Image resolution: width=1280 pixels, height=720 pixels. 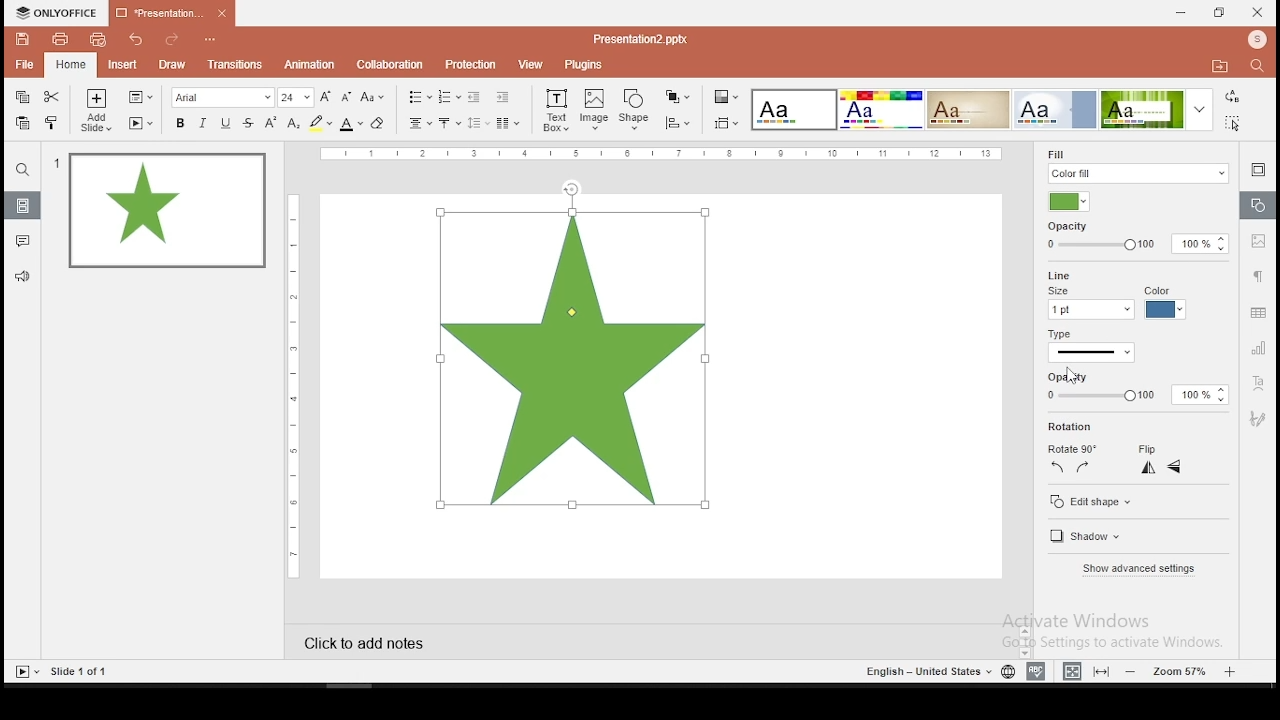 I want to click on profile, so click(x=1255, y=41).